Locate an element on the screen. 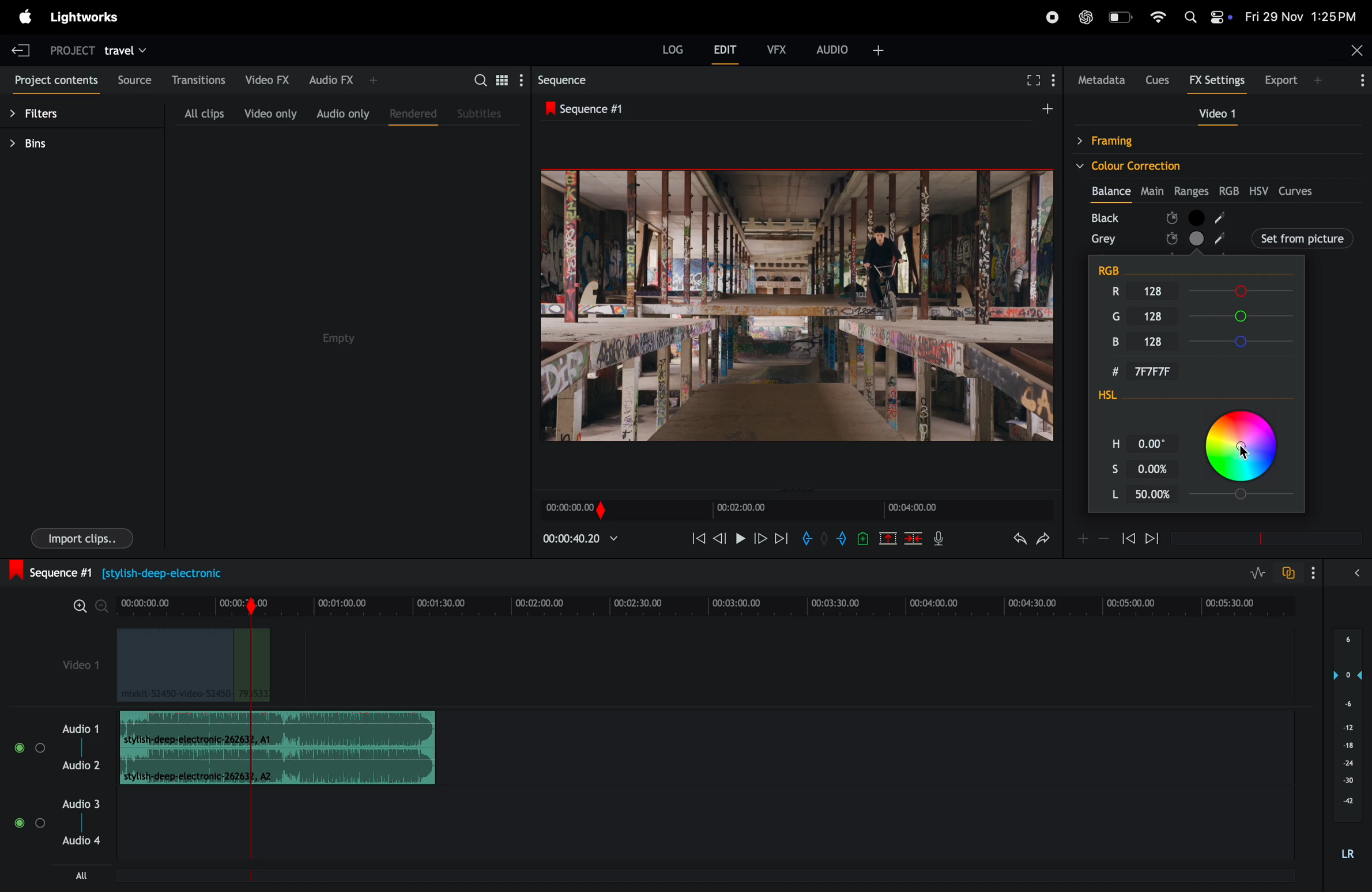 This screenshot has height=892, width=1372. R is located at coordinates (1111, 290).